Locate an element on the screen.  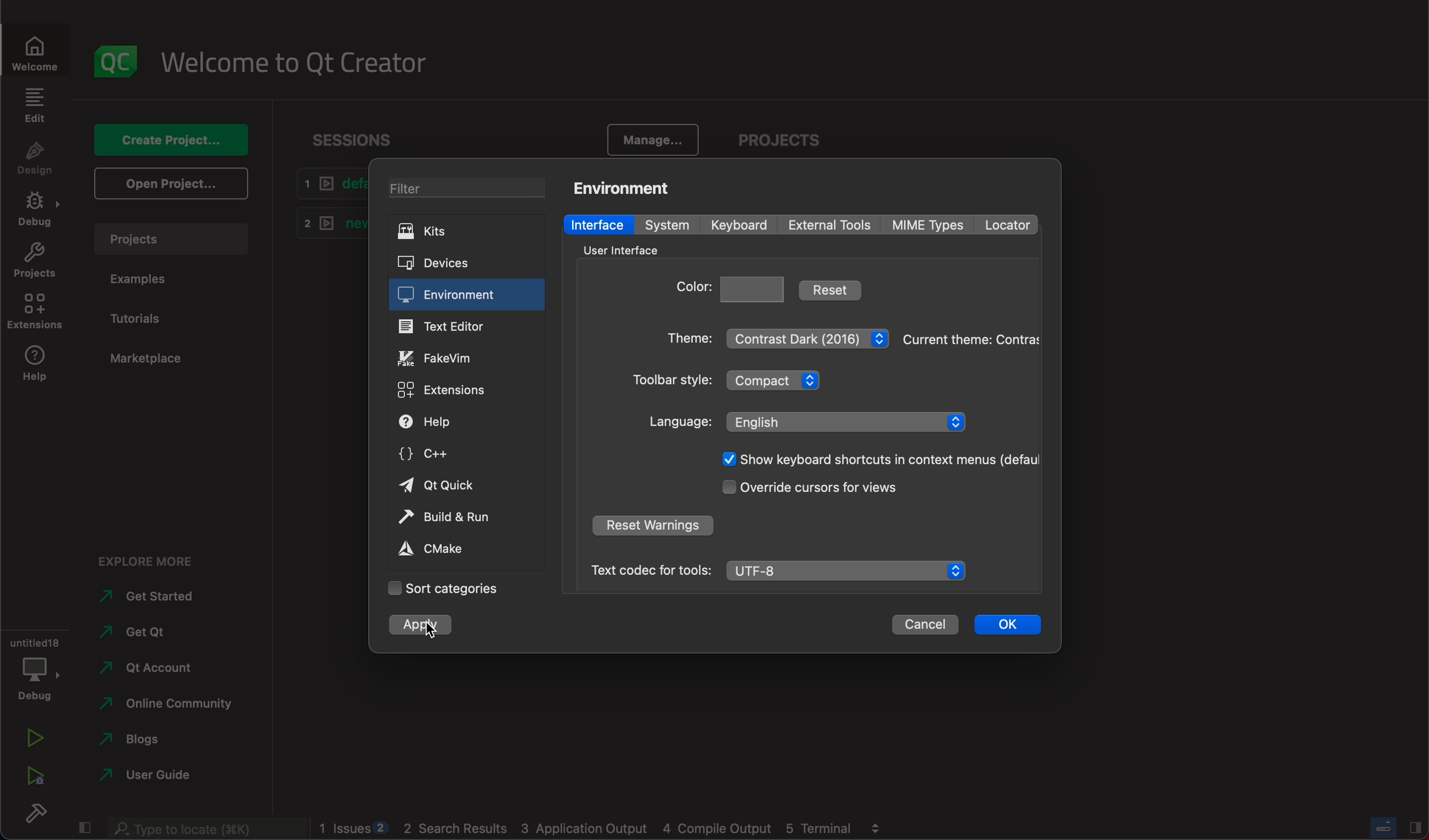
environment is located at coordinates (453, 296).